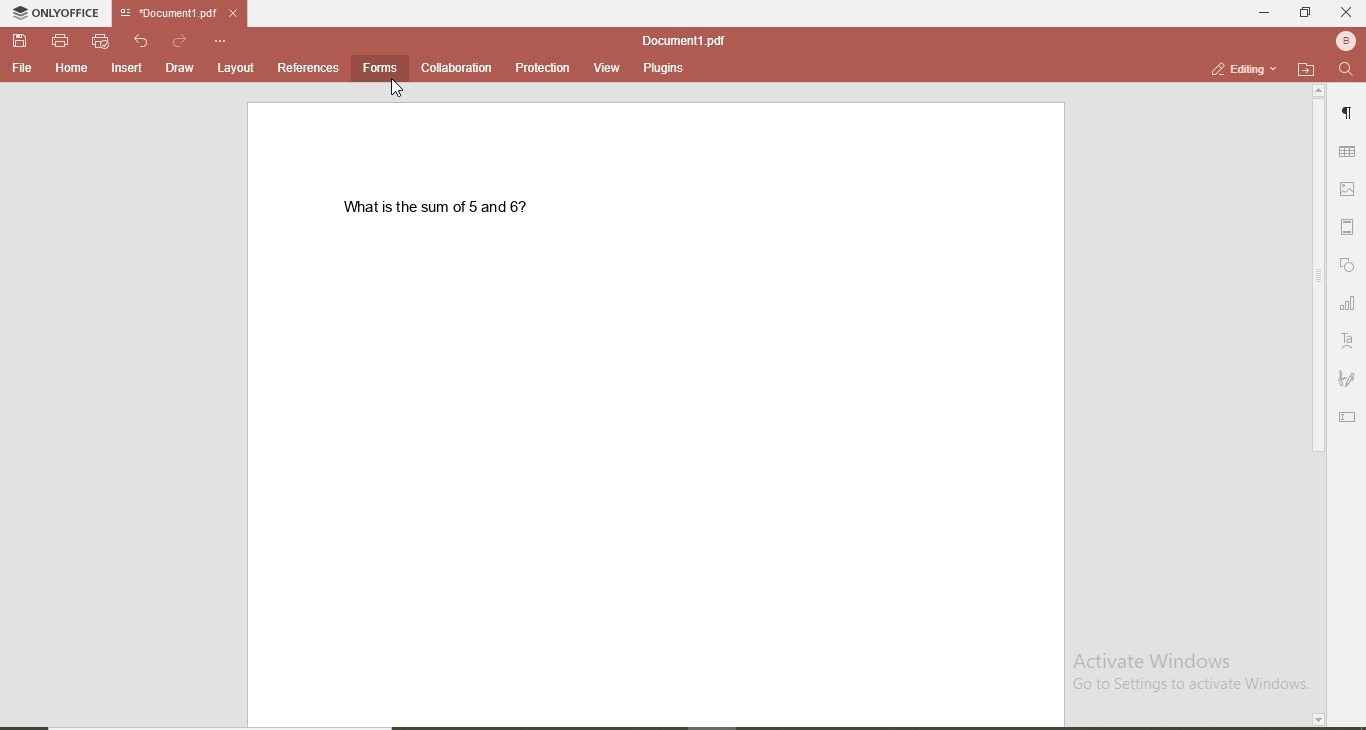  What do you see at coordinates (1318, 281) in the screenshot?
I see `scroll bar` at bounding box center [1318, 281].